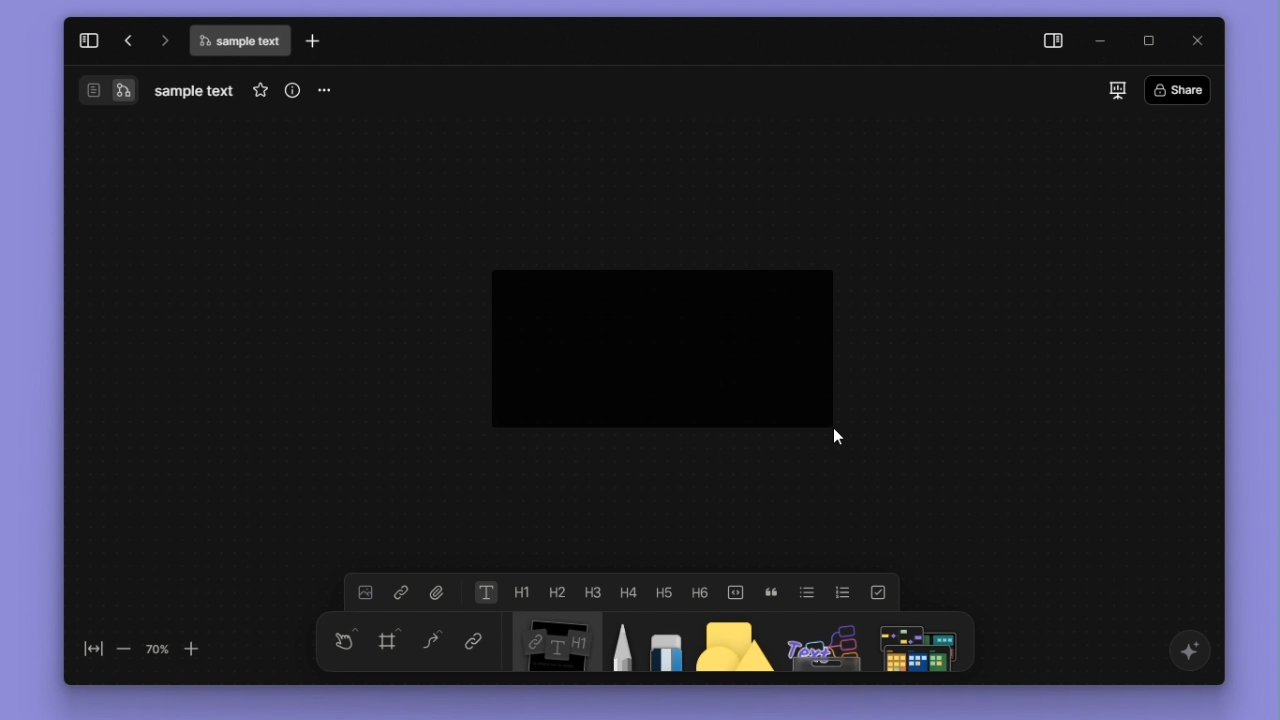 The width and height of the screenshot is (1280, 720). What do you see at coordinates (390, 641) in the screenshot?
I see `frame f` at bounding box center [390, 641].